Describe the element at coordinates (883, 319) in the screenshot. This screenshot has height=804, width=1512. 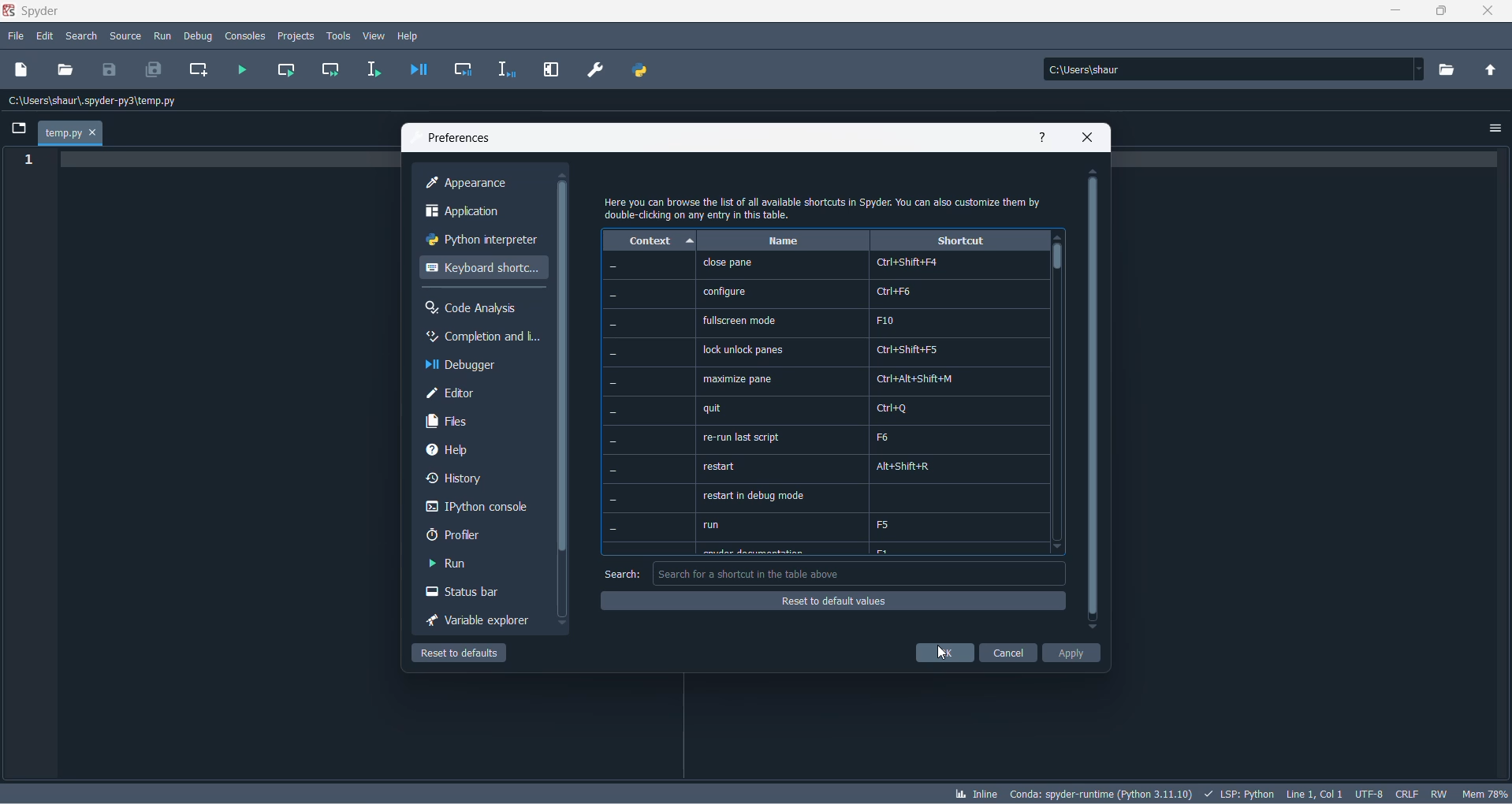
I see `F10` at that location.